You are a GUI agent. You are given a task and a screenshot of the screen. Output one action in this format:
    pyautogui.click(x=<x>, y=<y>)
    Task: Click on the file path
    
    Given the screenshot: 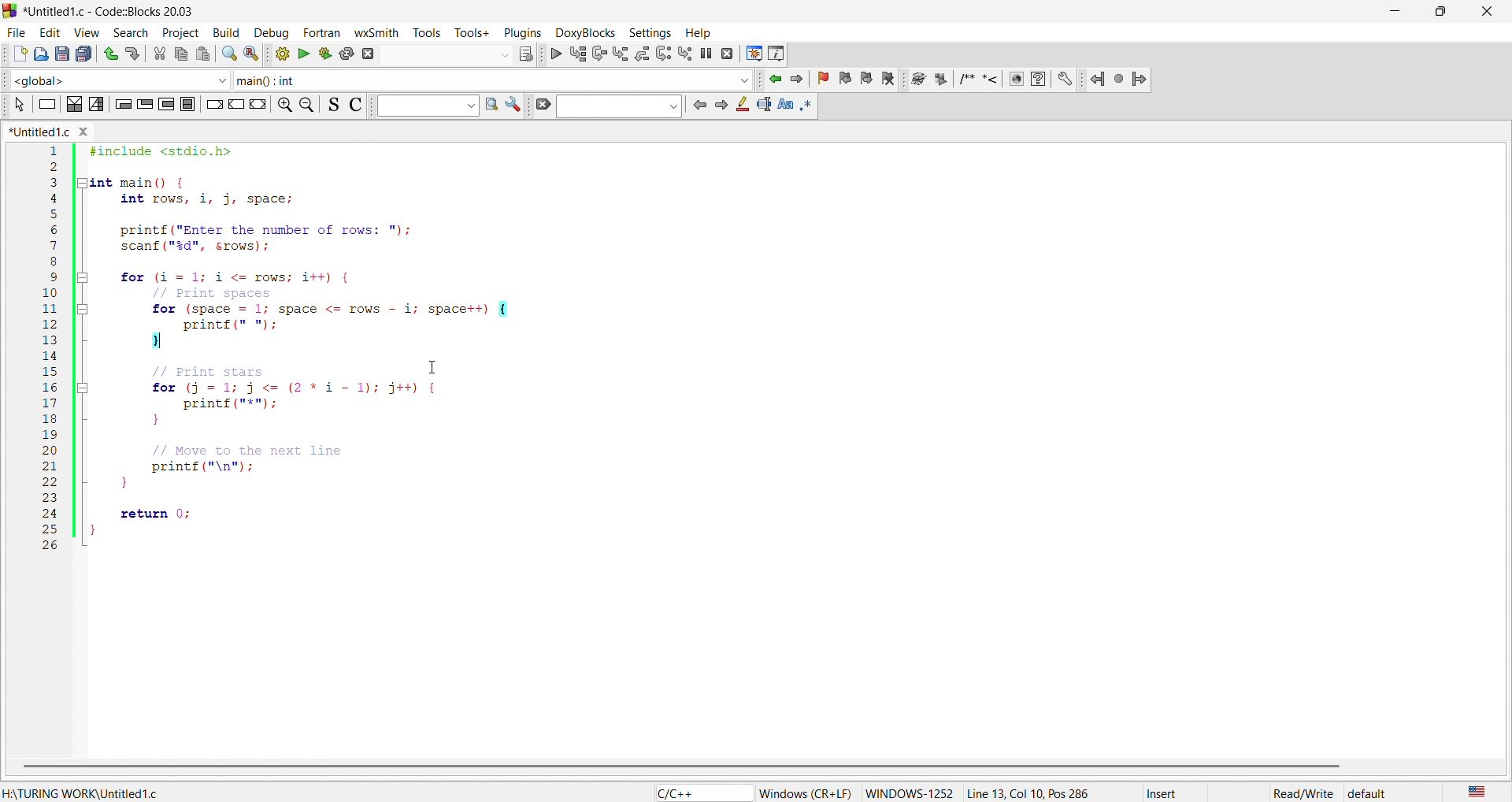 What is the action you would take?
    pyautogui.click(x=83, y=795)
    